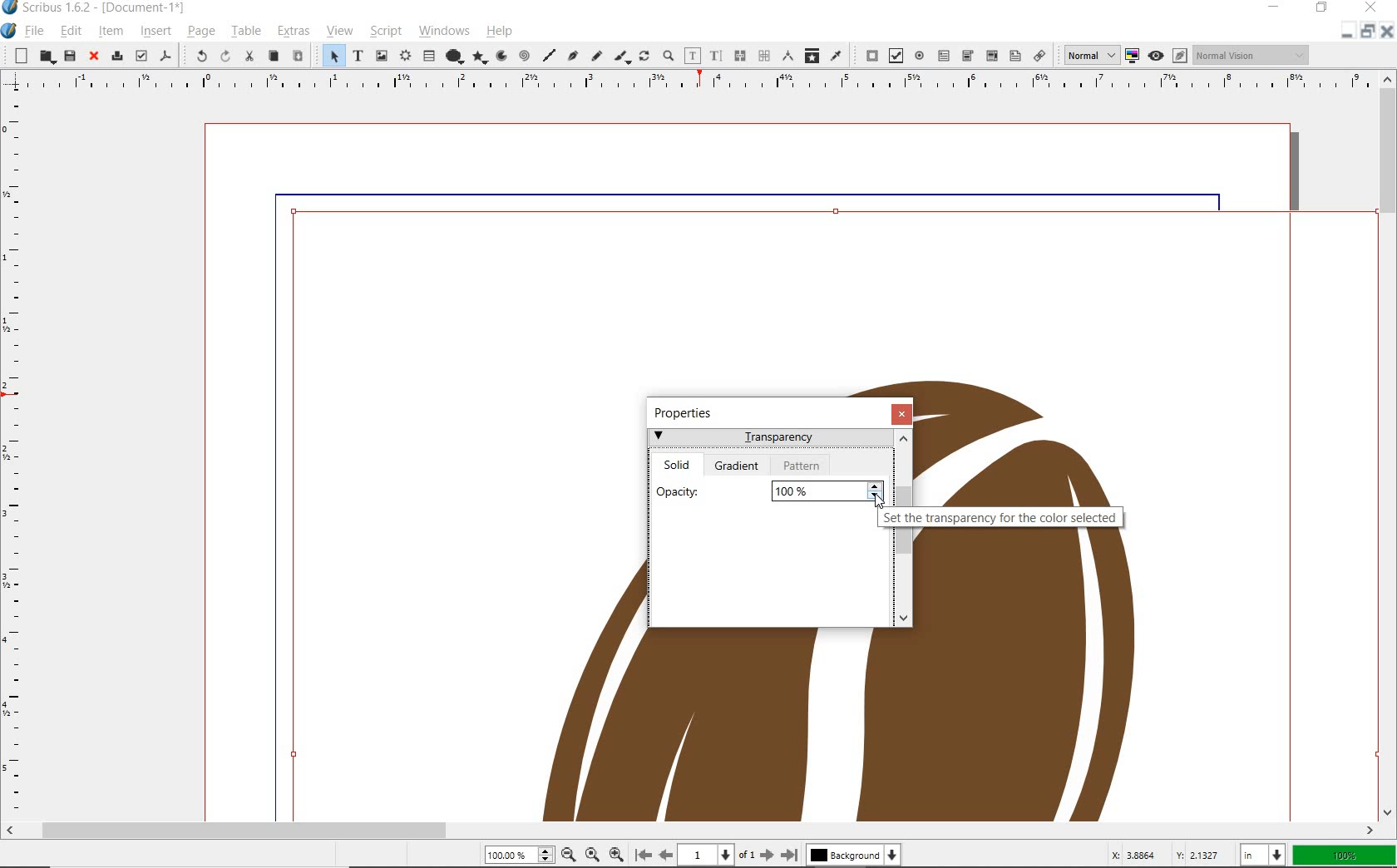 This screenshot has height=868, width=1397. What do you see at coordinates (716, 56) in the screenshot?
I see `edit text with story editor` at bounding box center [716, 56].